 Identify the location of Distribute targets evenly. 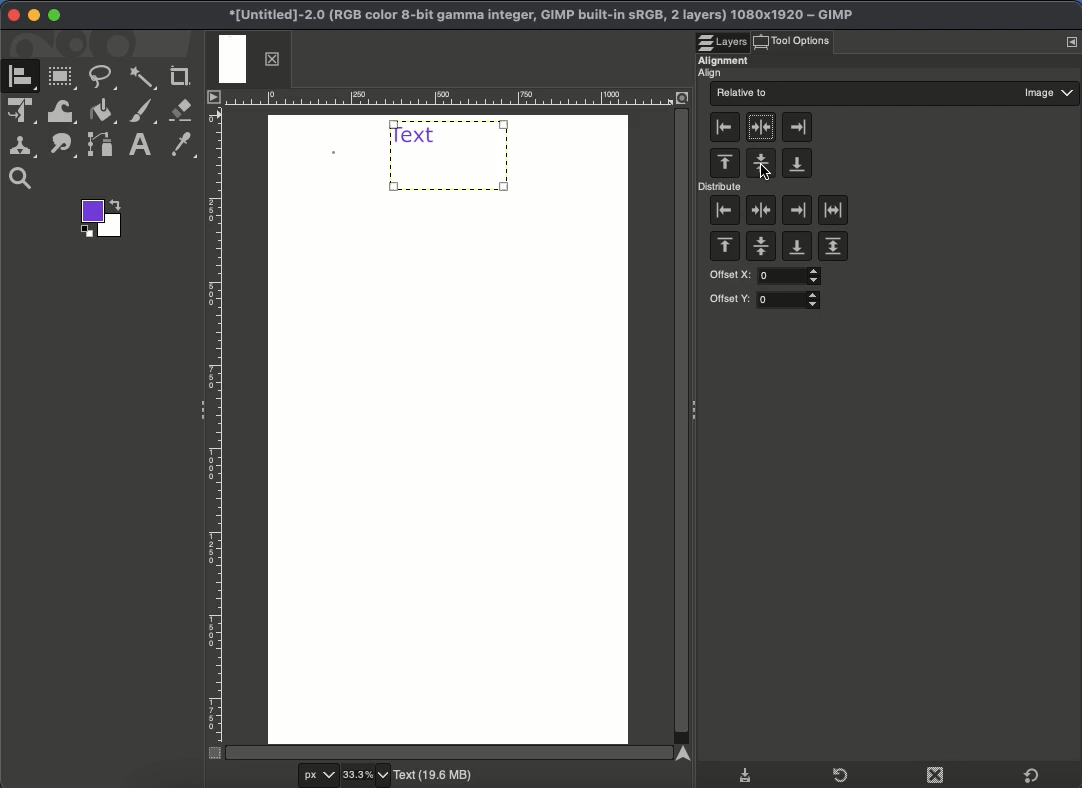
(834, 211).